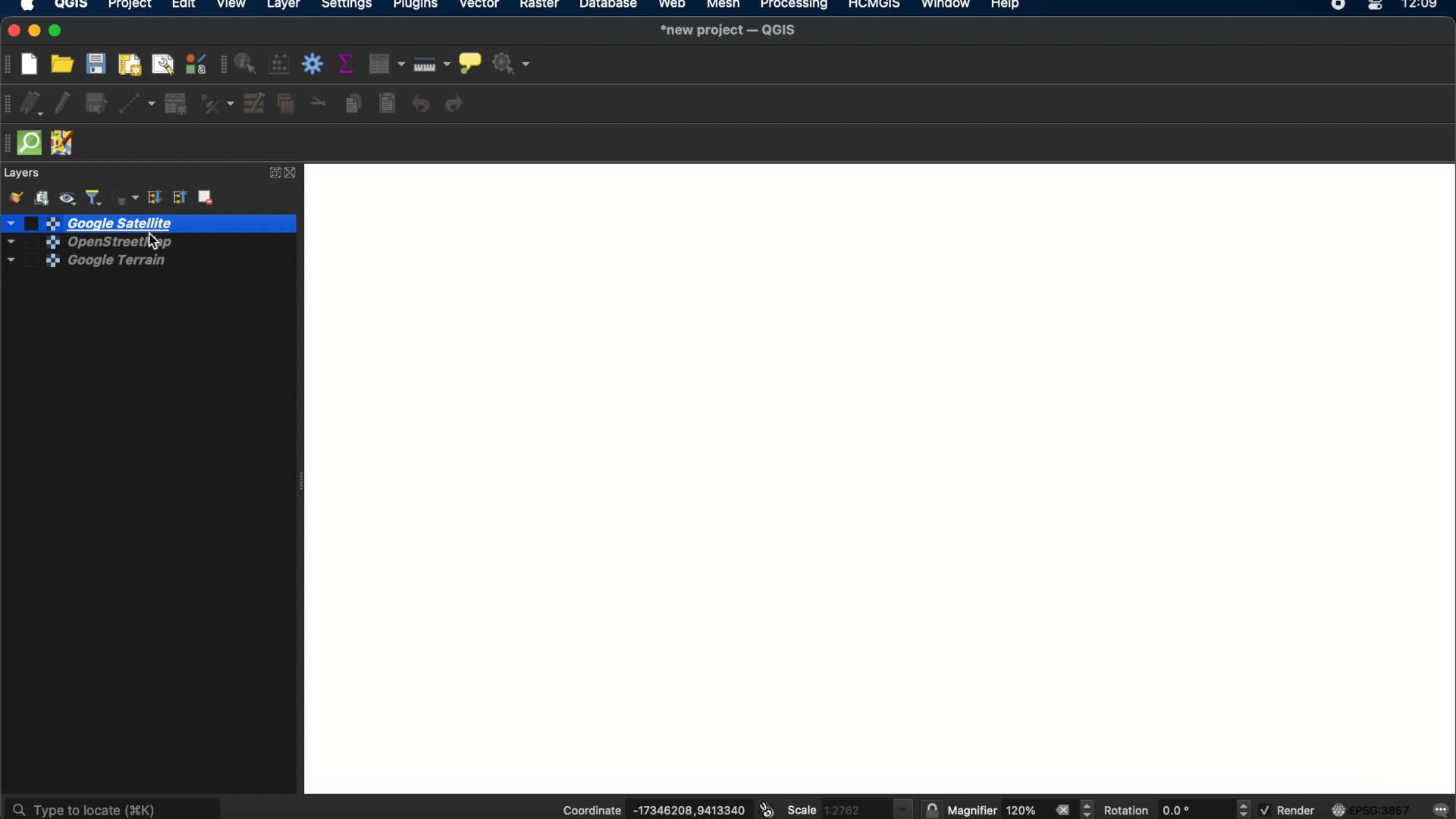 The height and width of the screenshot is (819, 1456). I want to click on render, so click(1287, 810).